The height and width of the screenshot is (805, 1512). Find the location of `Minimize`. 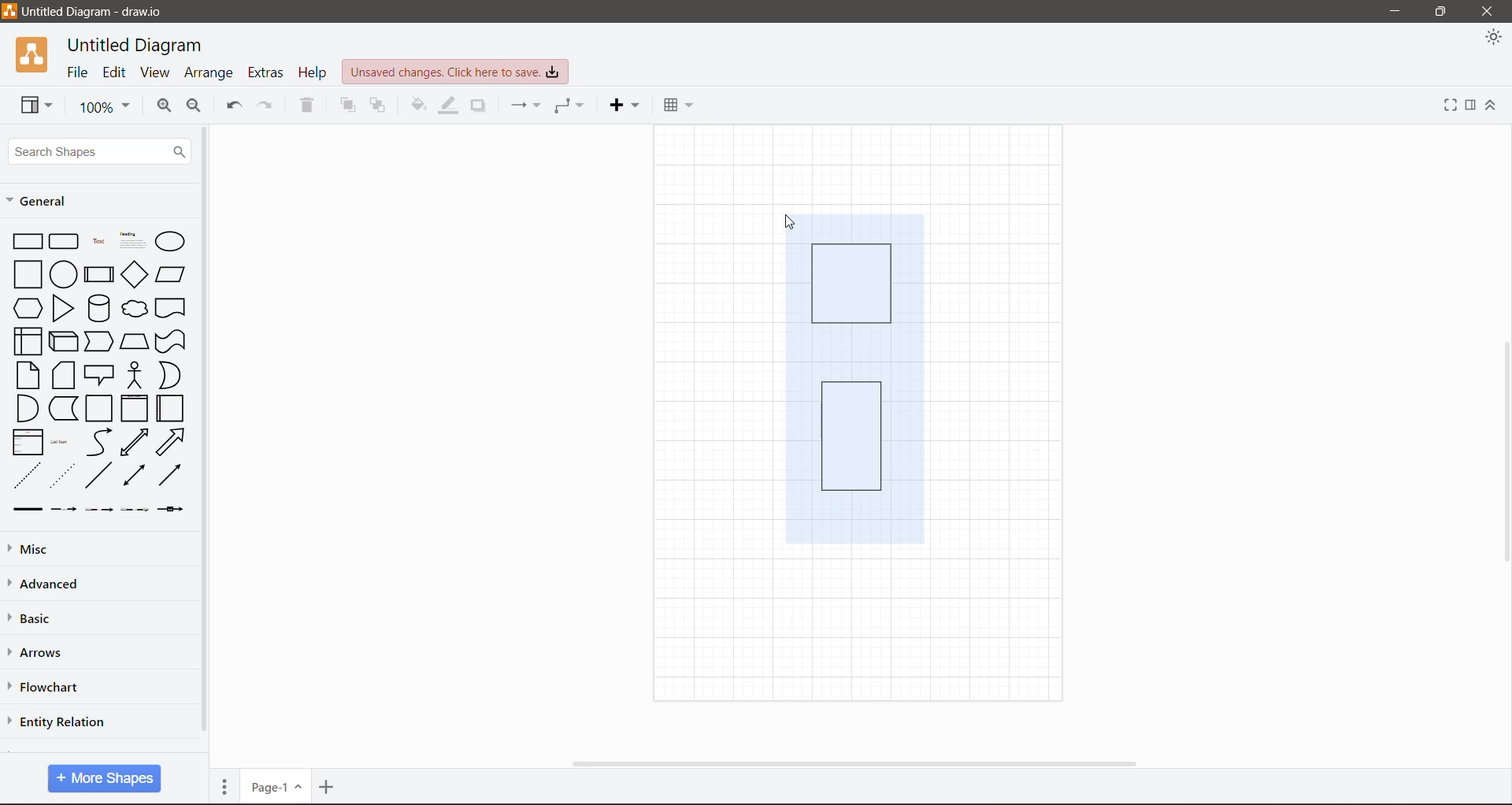

Minimize is located at coordinates (1395, 12).